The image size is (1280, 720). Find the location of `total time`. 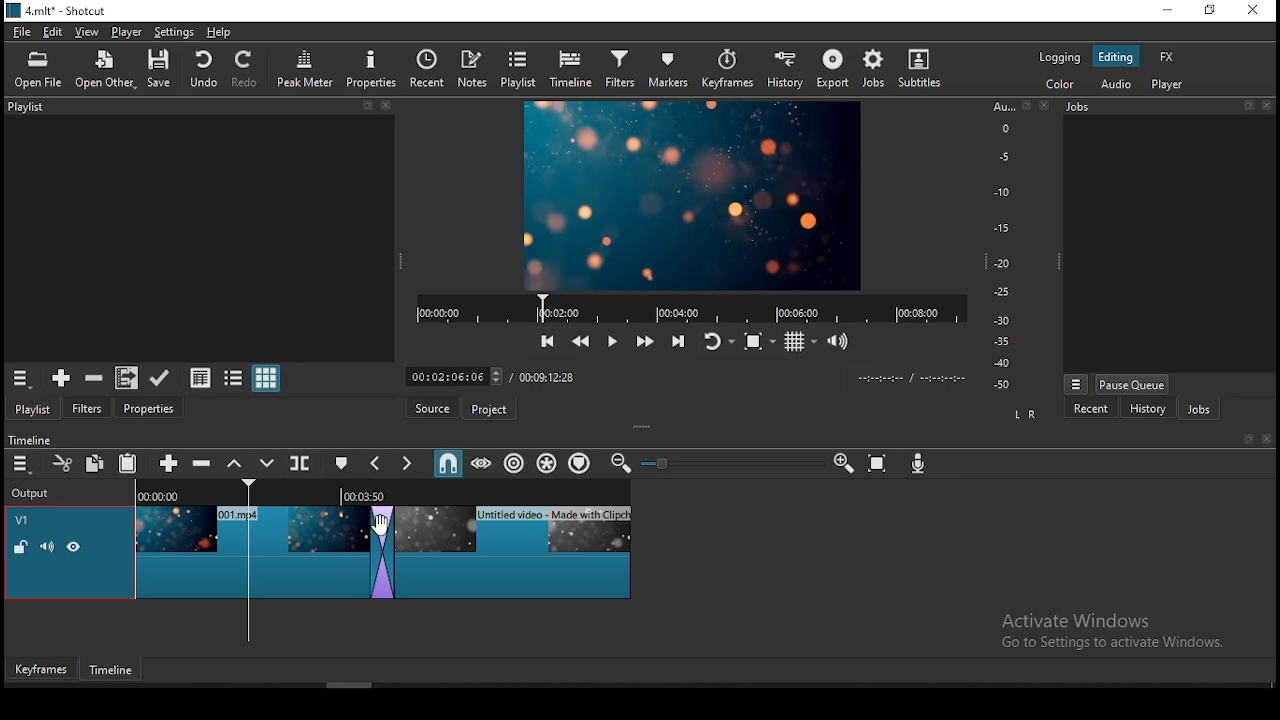

total time is located at coordinates (549, 378).